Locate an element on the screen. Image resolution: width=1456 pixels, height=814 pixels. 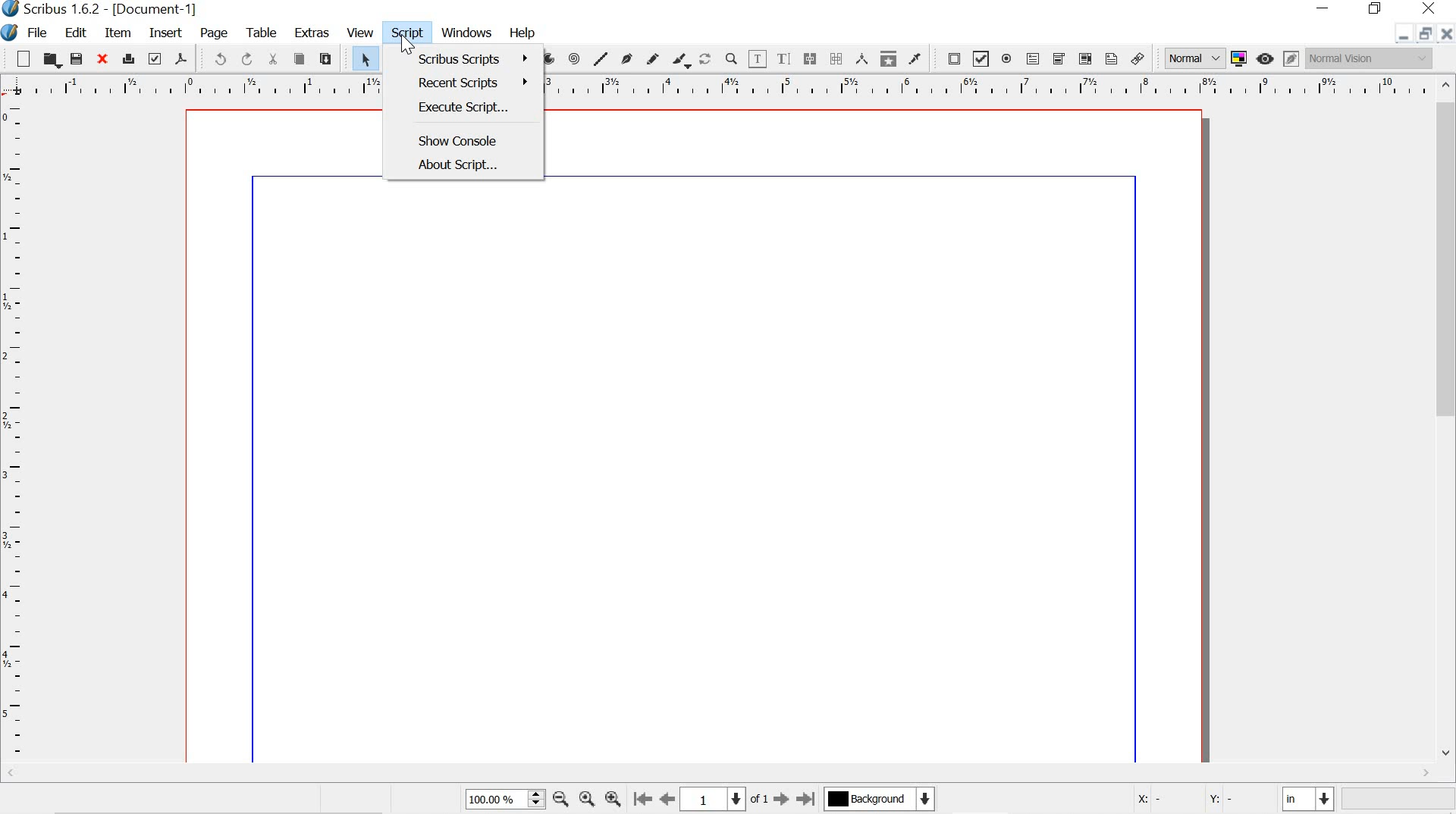
ruler is located at coordinates (192, 86).